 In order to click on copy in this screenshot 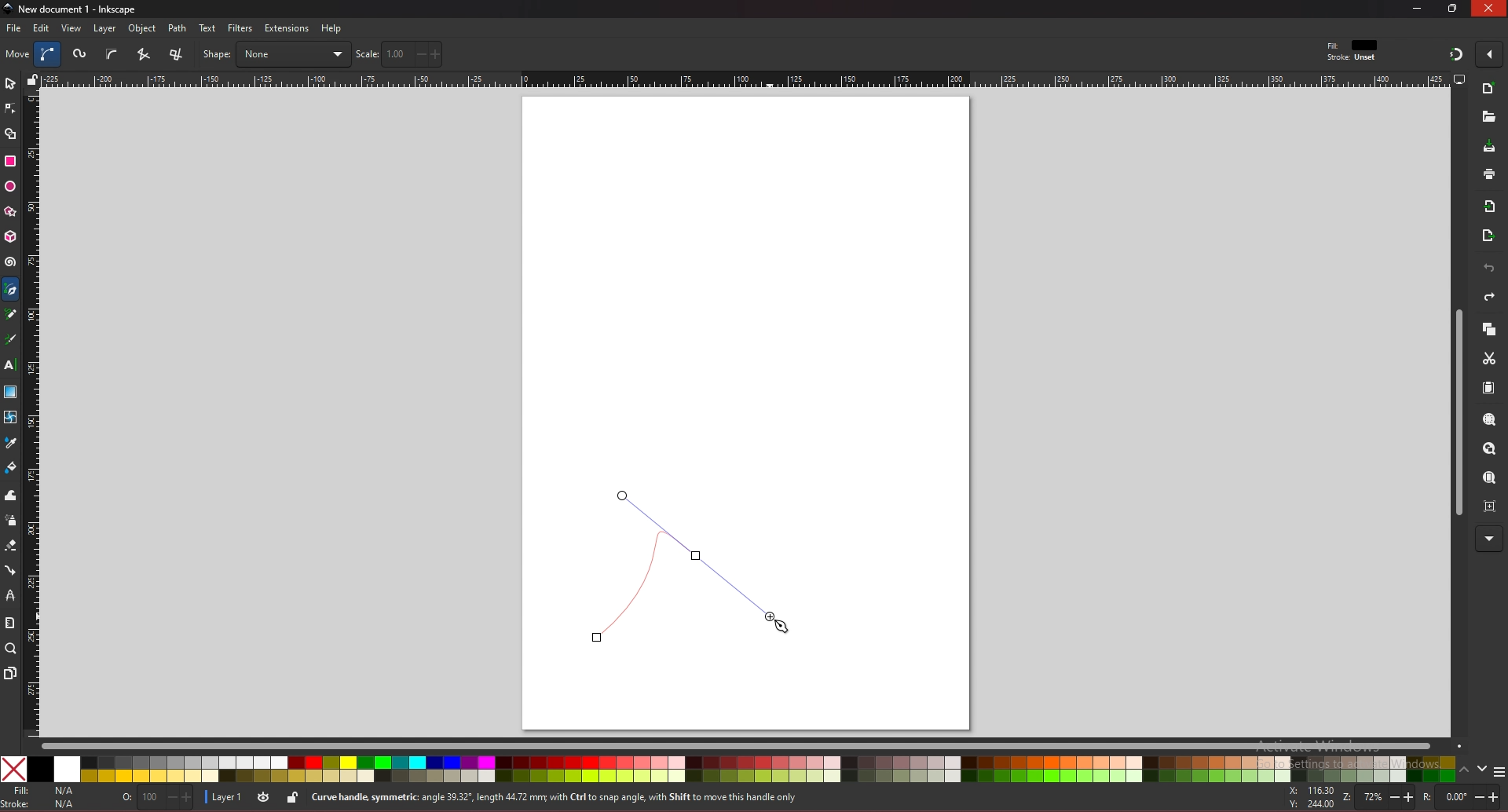, I will do `click(1488, 330)`.